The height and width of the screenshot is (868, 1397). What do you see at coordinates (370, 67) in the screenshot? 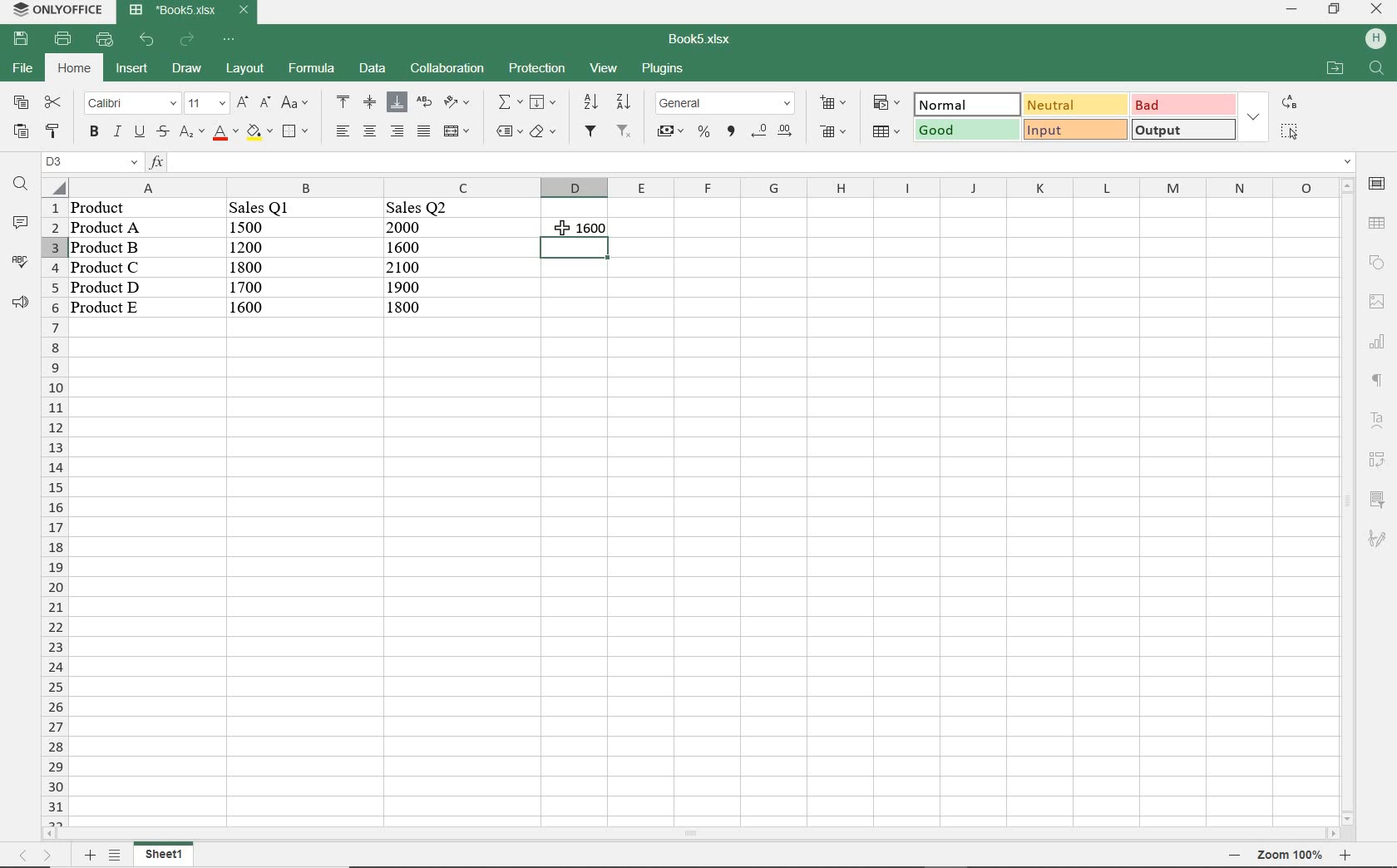
I see `data` at bounding box center [370, 67].